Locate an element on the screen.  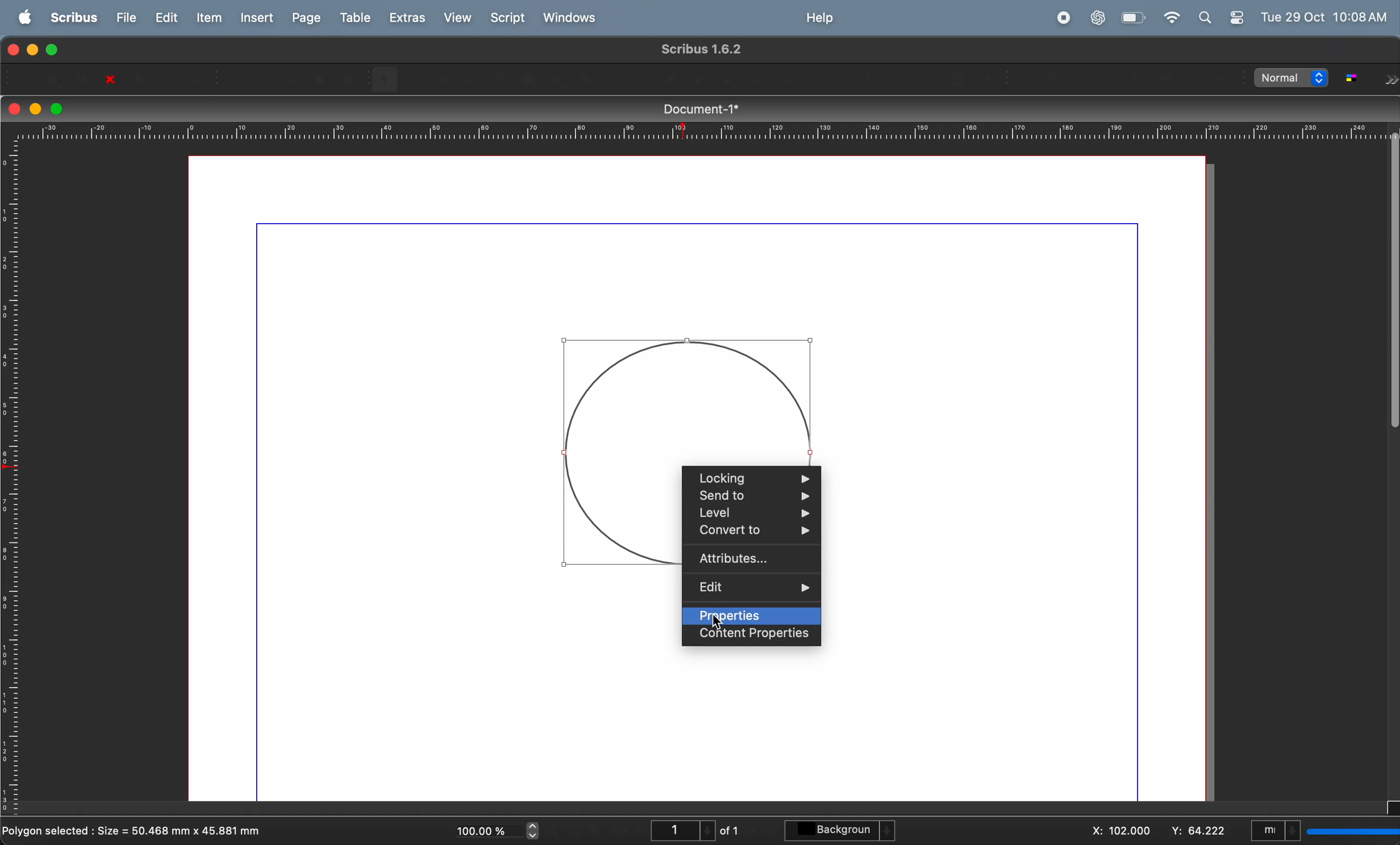
toggle color management is located at coordinates (1357, 78).